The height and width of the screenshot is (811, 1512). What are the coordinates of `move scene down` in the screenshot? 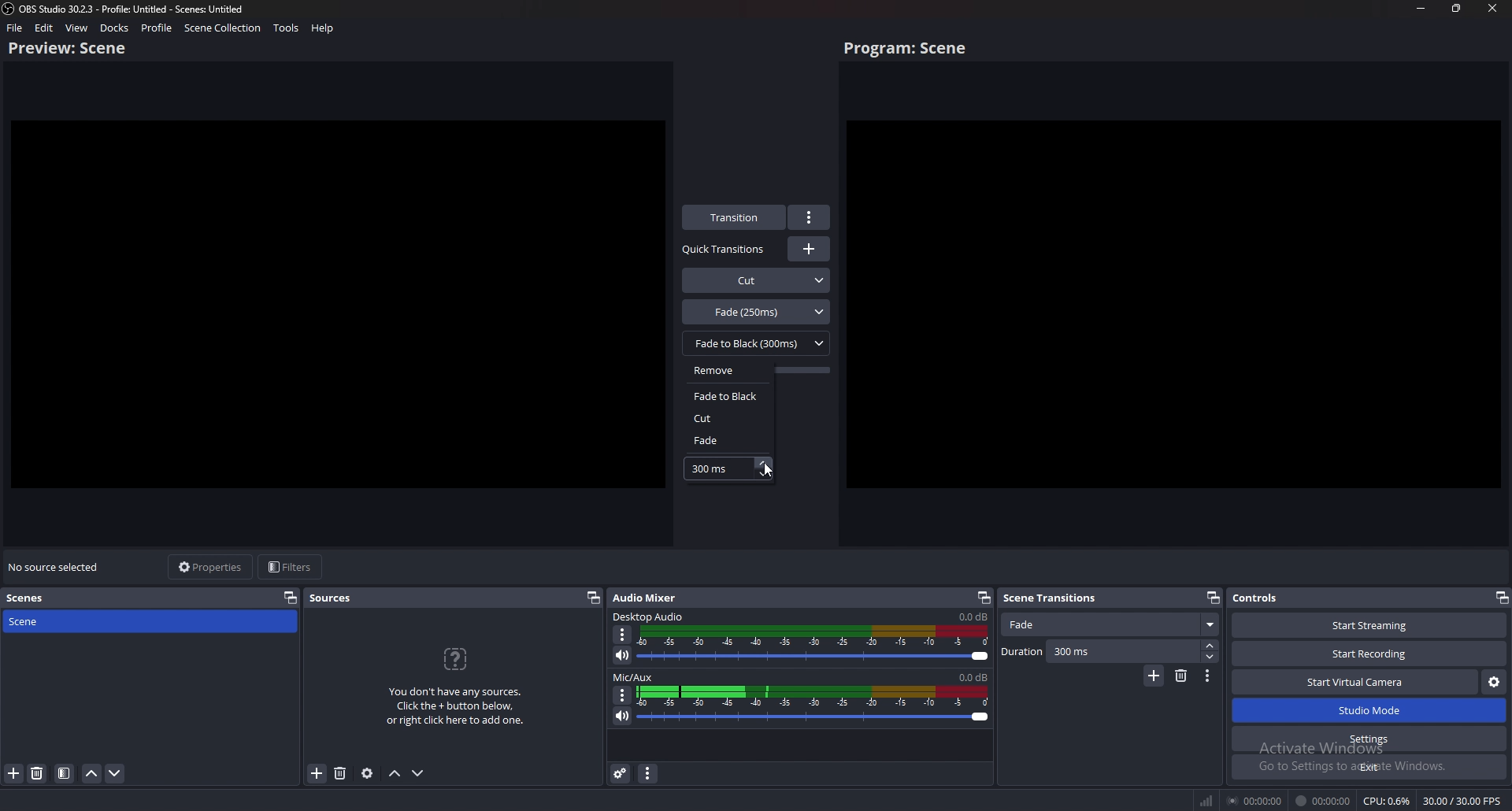 It's located at (116, 776).